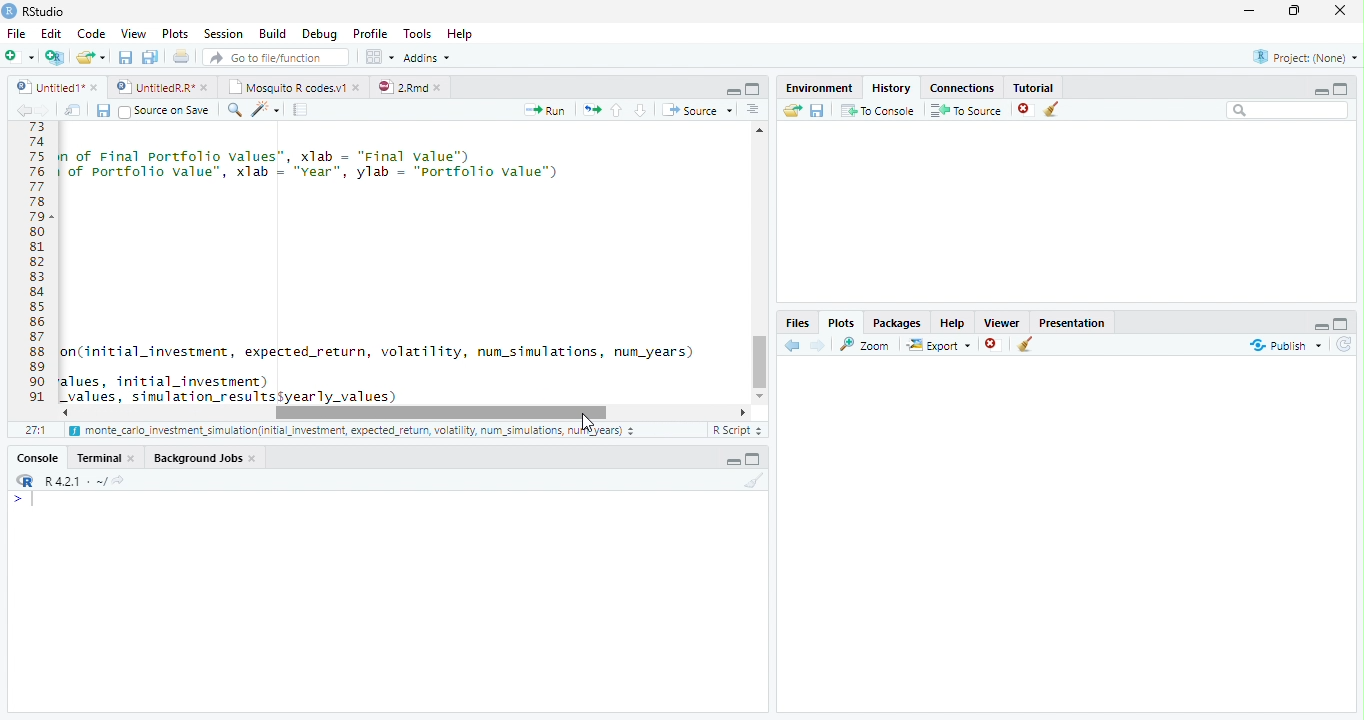 This screenshot has width=1364, height=720. Describe the element at coordinates (54, 57) in the screenshot. I see `Create project` at that location.